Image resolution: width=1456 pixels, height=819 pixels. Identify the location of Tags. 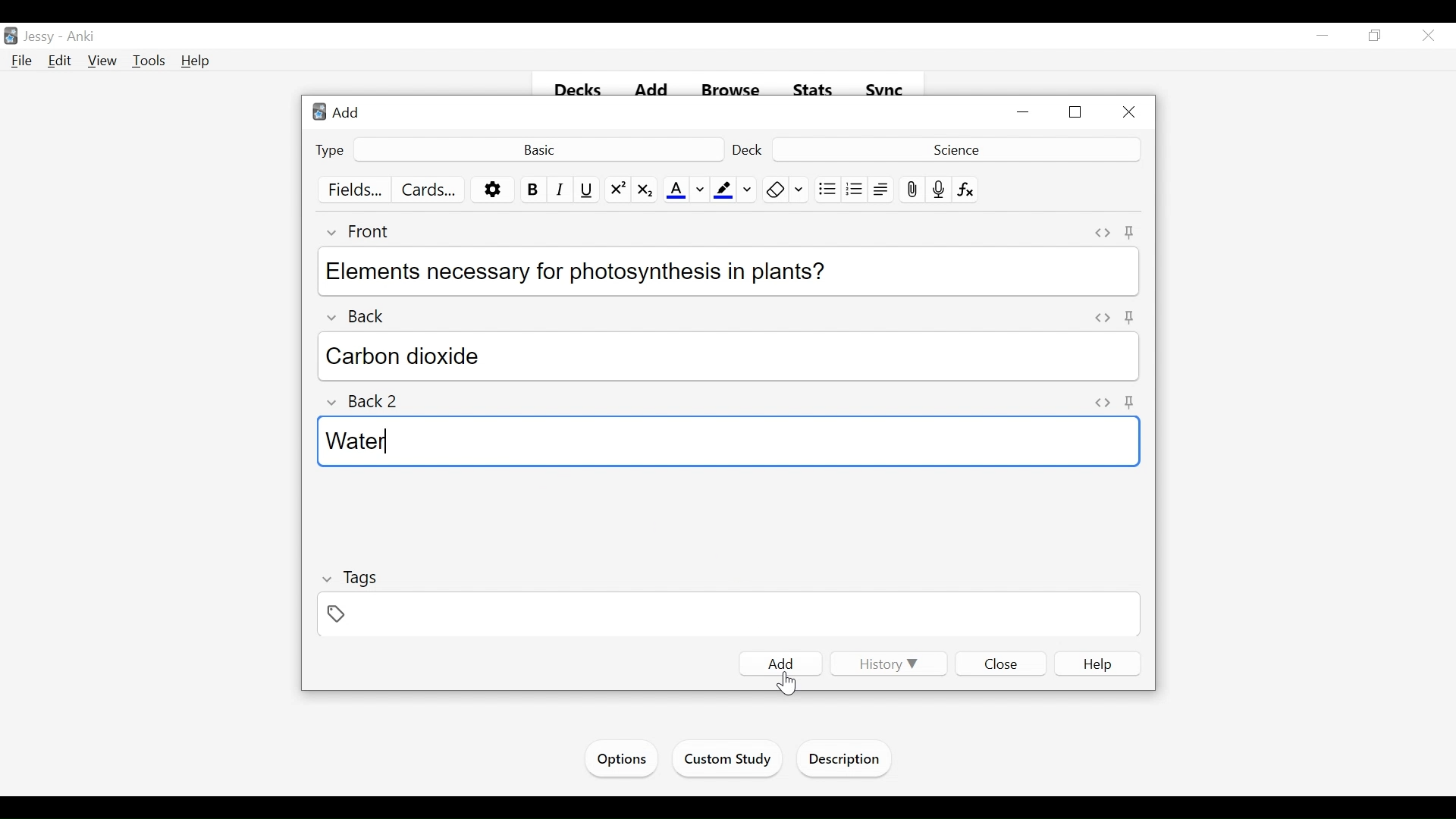
(351, 578).